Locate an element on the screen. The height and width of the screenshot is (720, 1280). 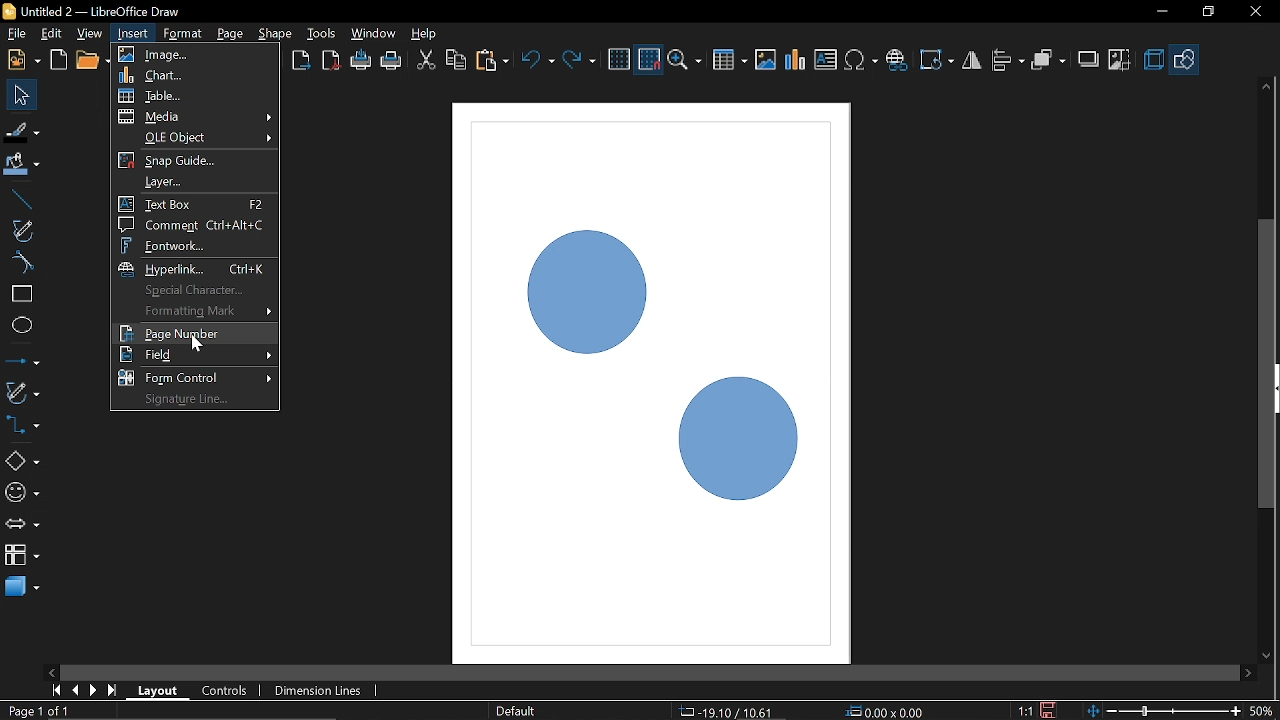
Tools is located at coordinates (322, 32).